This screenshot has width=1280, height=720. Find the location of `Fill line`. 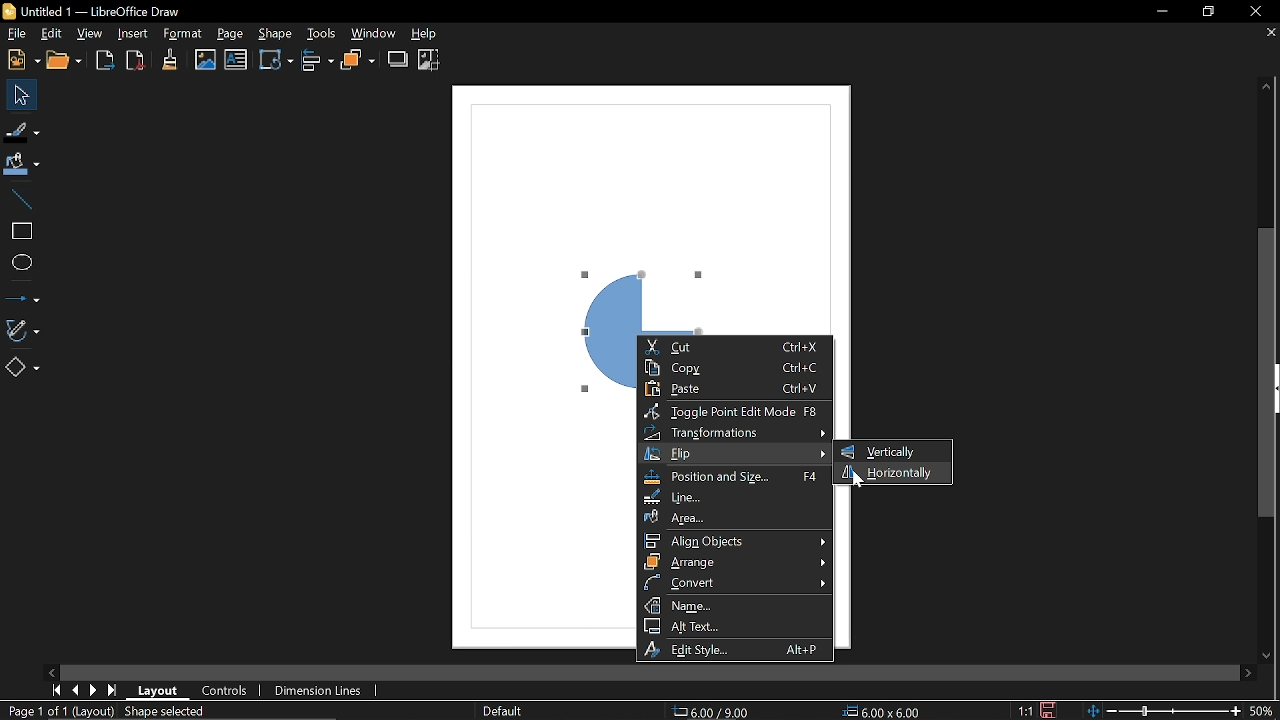

Fill line is located at coordinates (22, 130).